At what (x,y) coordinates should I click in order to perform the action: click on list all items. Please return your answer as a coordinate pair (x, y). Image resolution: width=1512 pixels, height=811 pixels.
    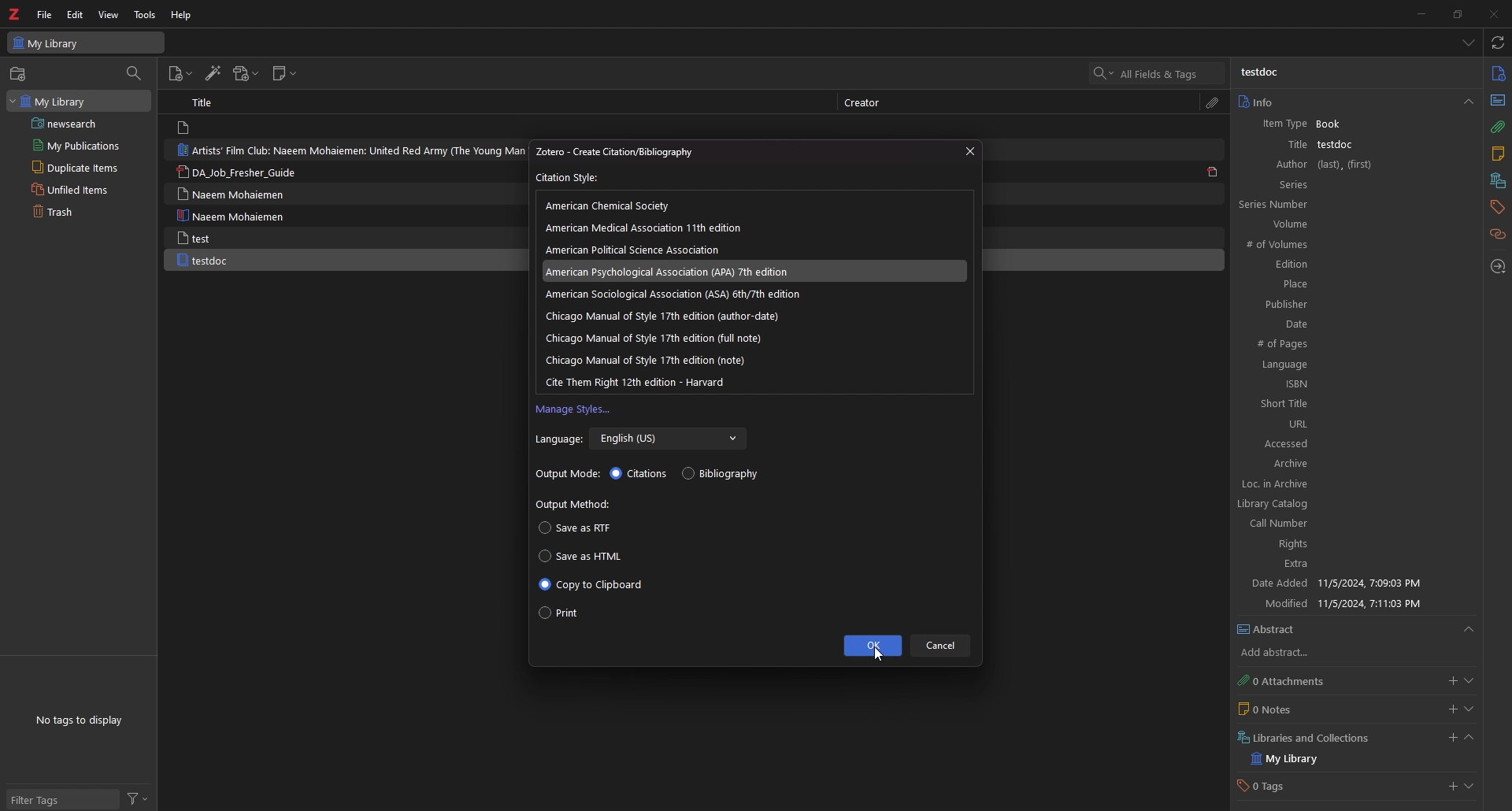
    Looking at the image, I should click on (1469, 43).